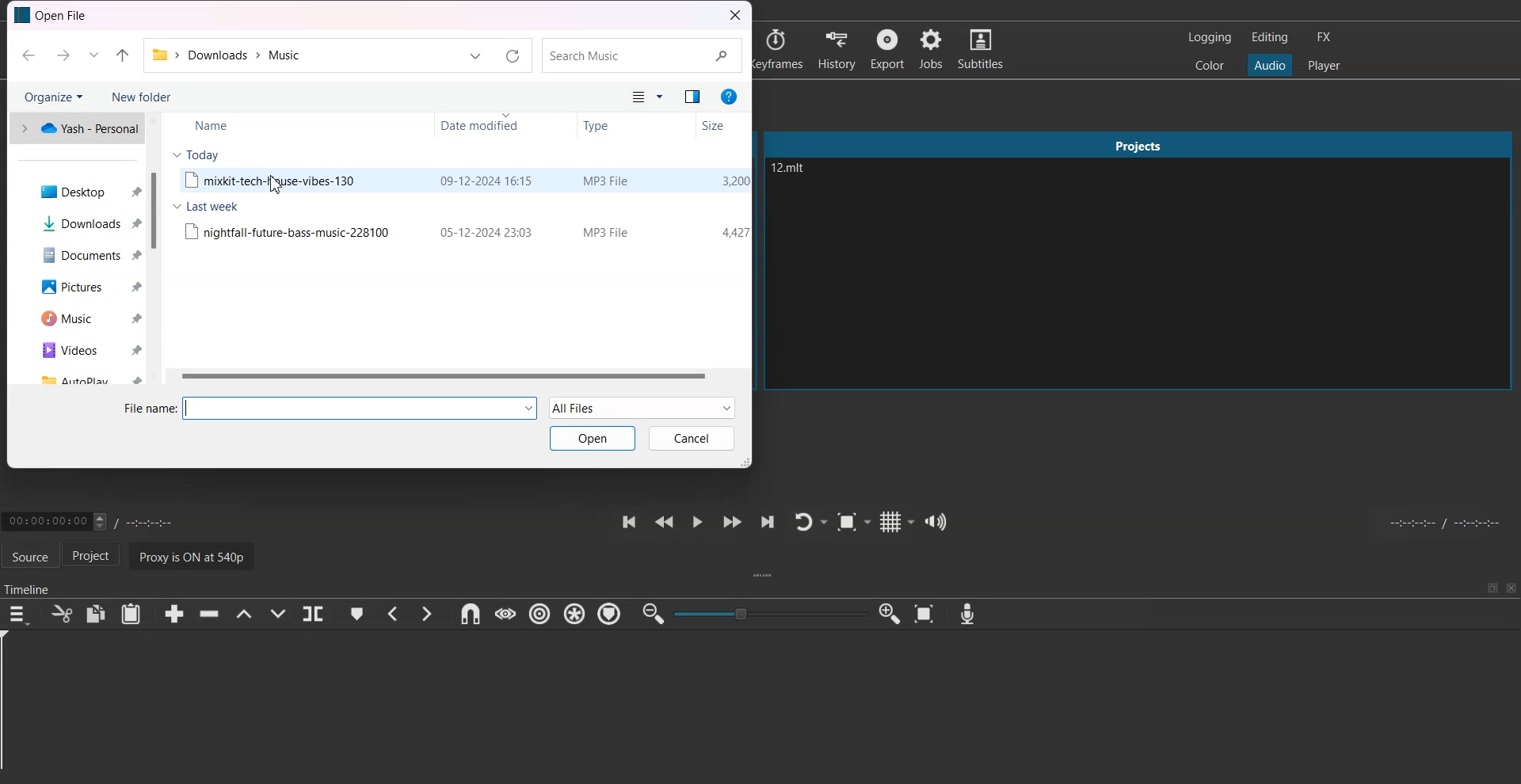 The width and height of the screenshot is (1521, 784). Describe the element at coordinates (280, 187) in the screenshot. I see `cursor` at that location.